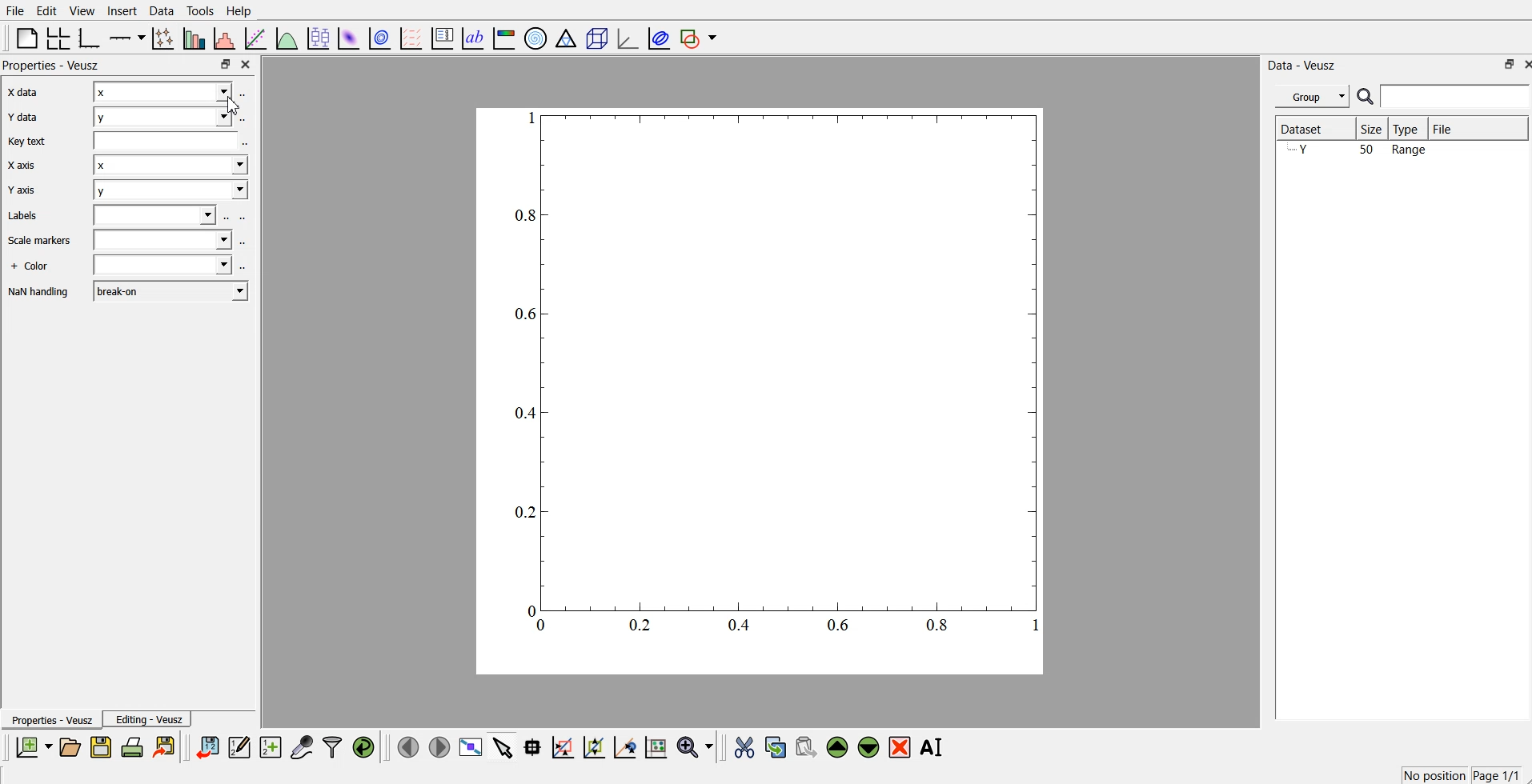  What do you see at coordinates (468, 748) in the screenshot?
I see `view data points full screen` at bounding box center [468, 748].